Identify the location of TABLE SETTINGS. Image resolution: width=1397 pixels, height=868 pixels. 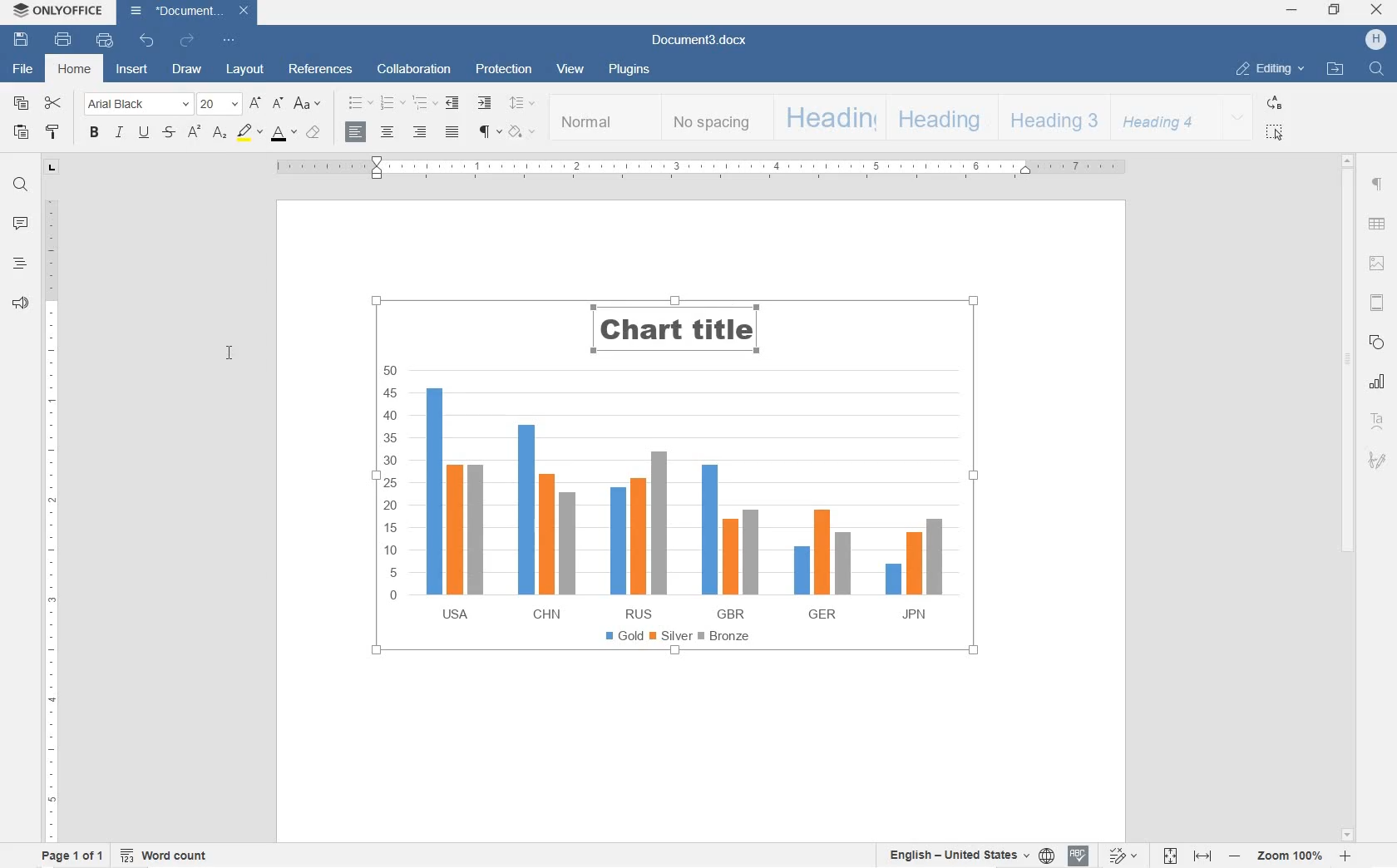
(1377, 224).